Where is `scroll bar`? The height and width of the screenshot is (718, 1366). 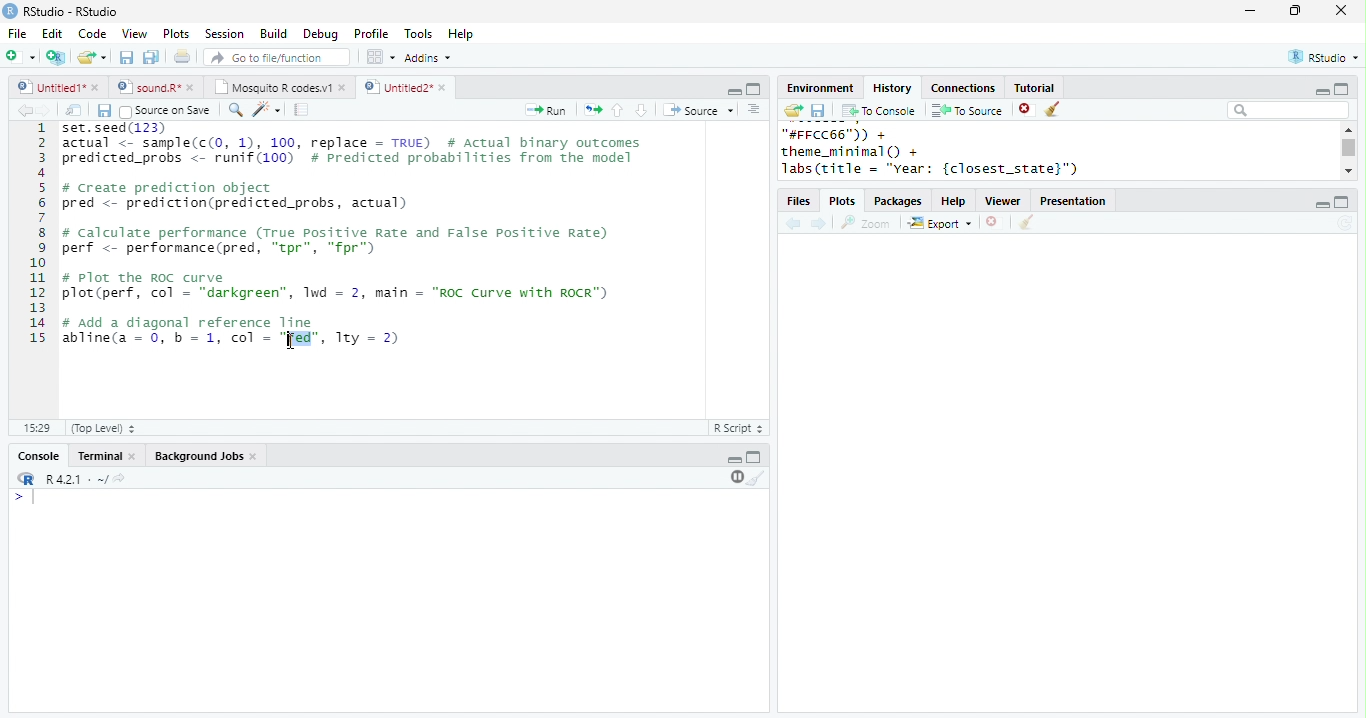
scroll bar is located at coordinates (1350, 148).